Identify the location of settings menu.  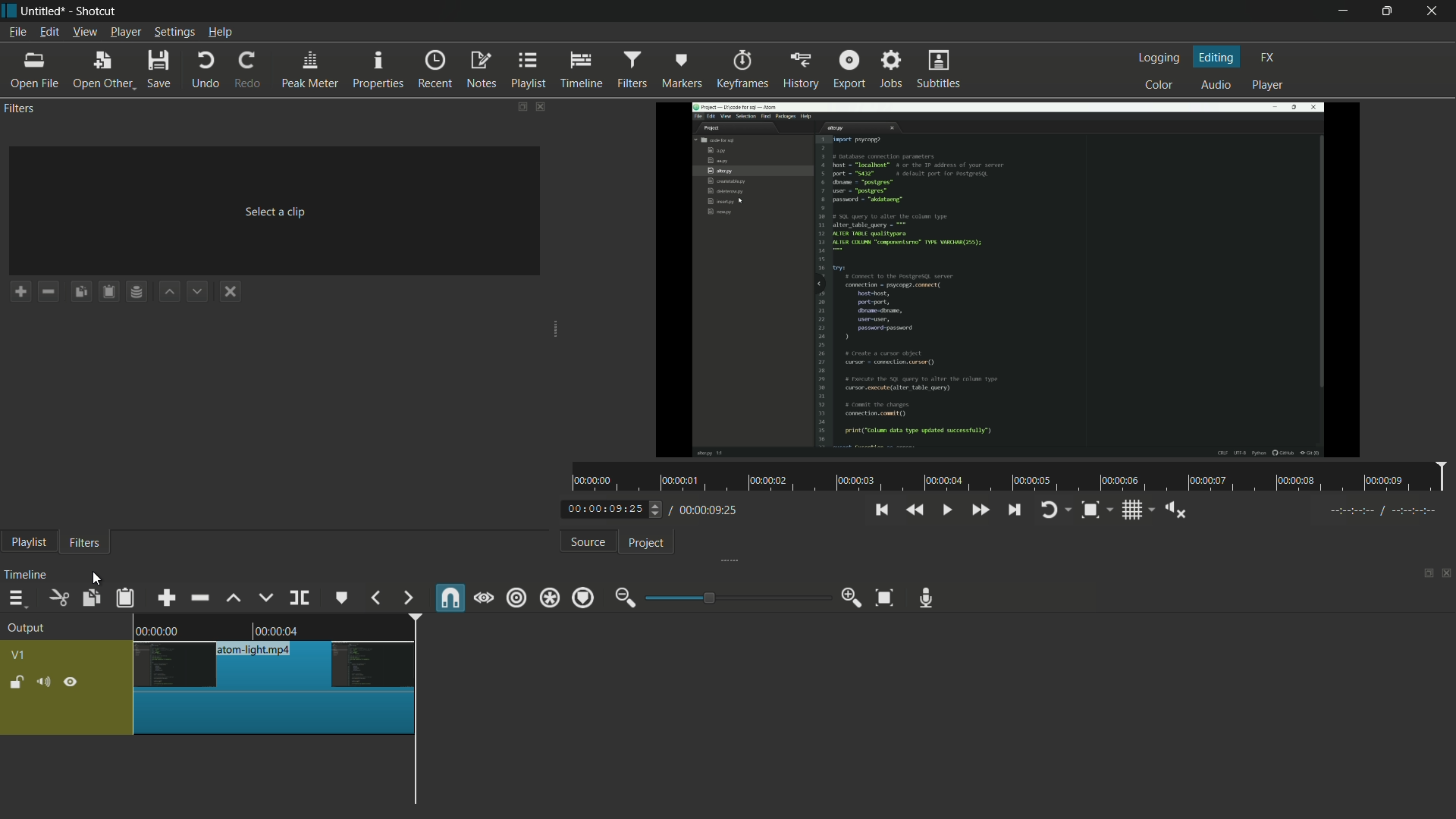
(174, 33).